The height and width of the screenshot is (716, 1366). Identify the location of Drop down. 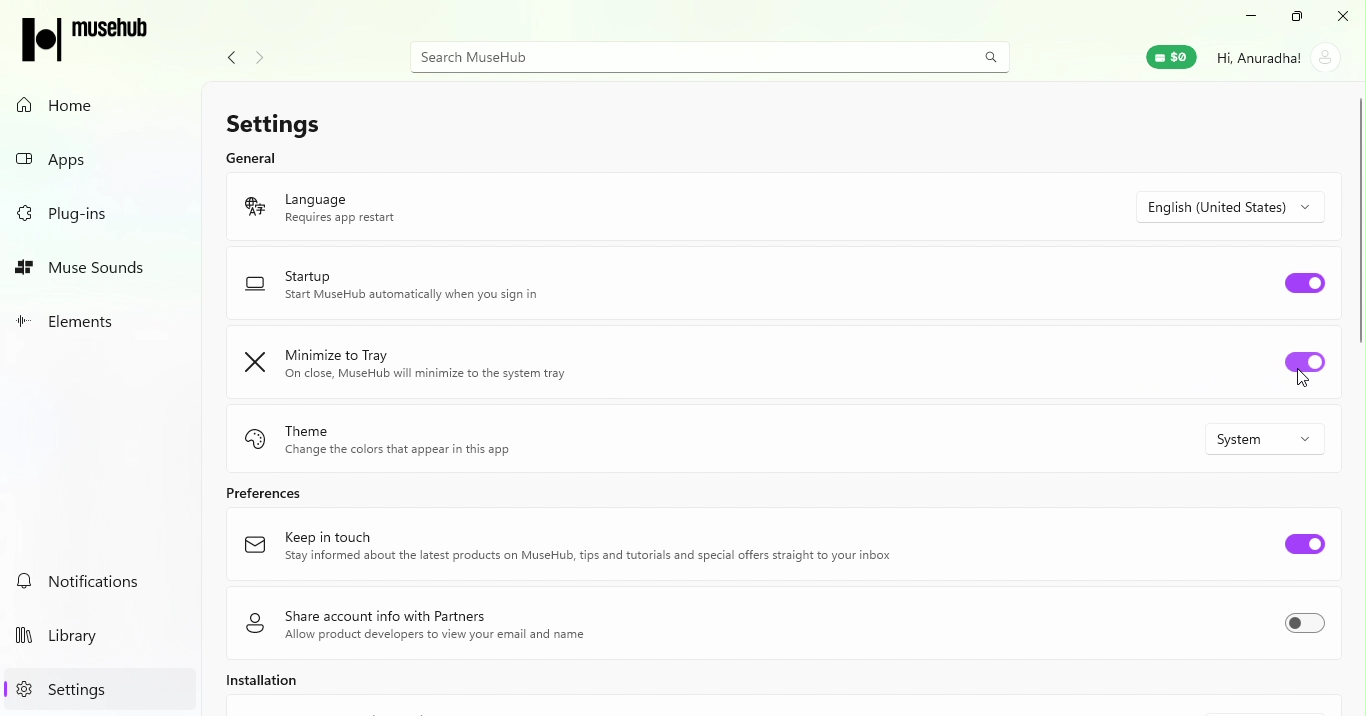
(1237, 207).